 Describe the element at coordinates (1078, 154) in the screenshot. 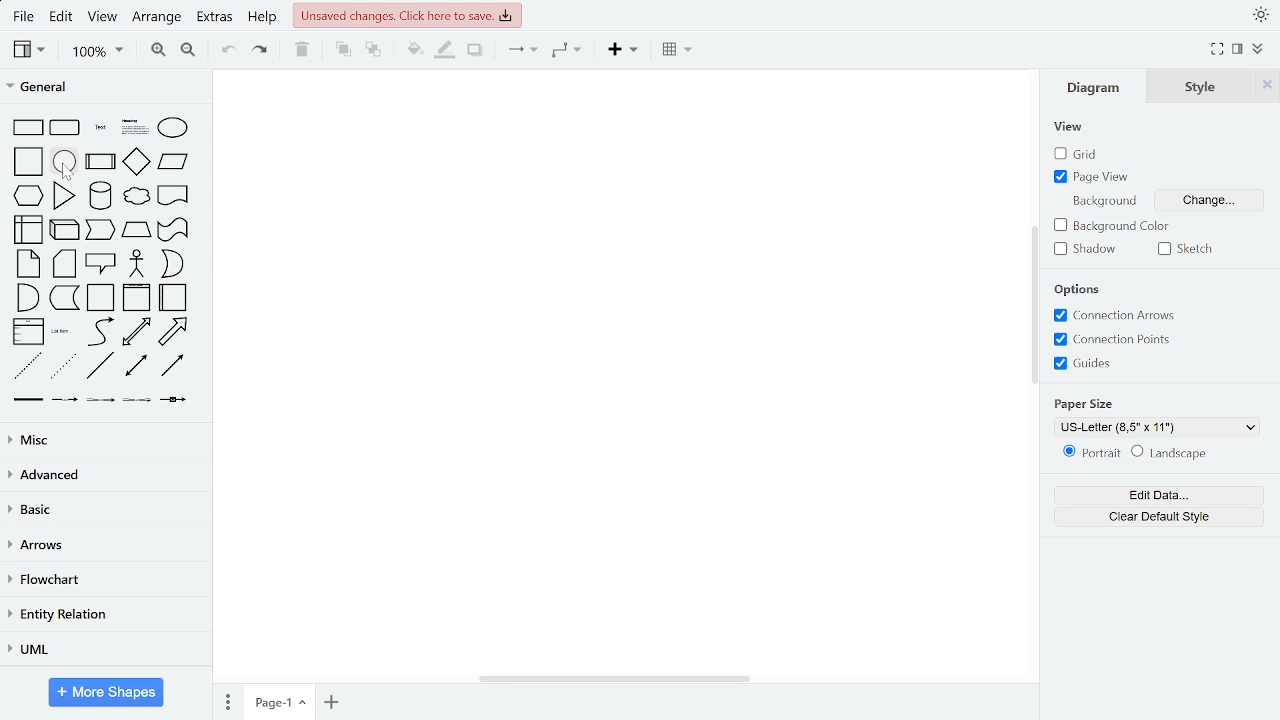

I see `grid` at that location.